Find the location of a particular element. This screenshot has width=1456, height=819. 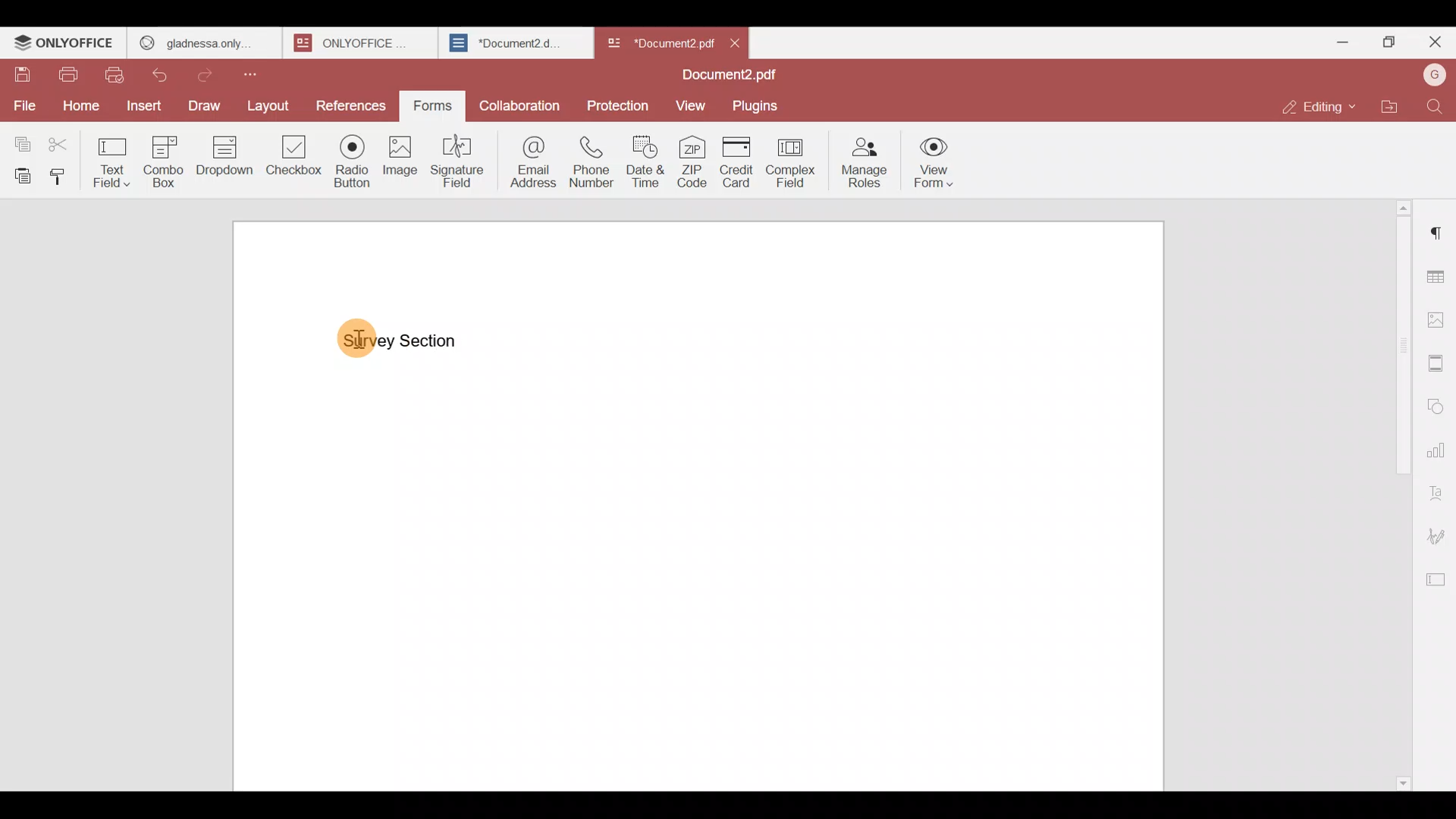

Form settings is located at coordinates (1434, 577).